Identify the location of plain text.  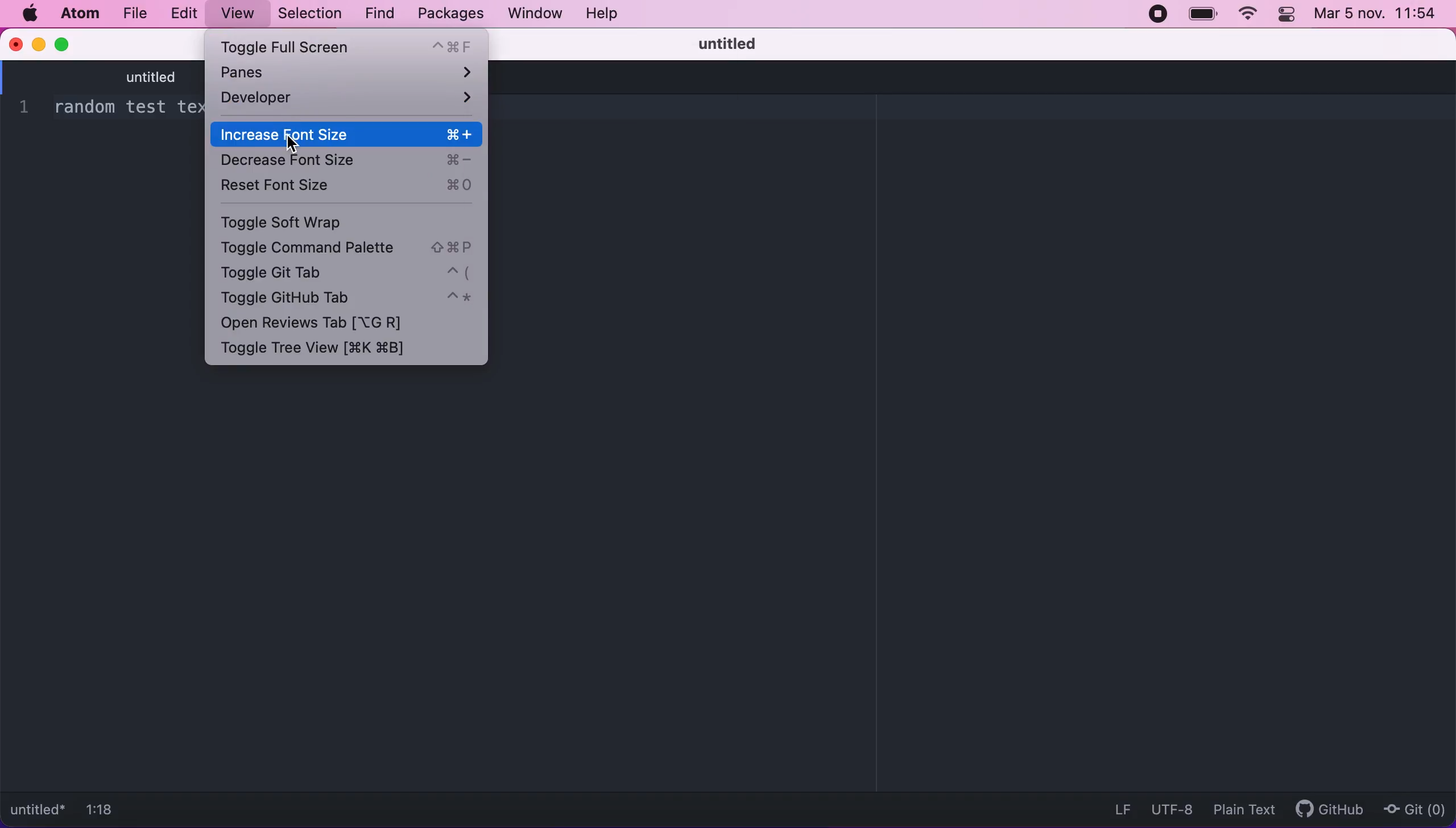
(1240, 809).